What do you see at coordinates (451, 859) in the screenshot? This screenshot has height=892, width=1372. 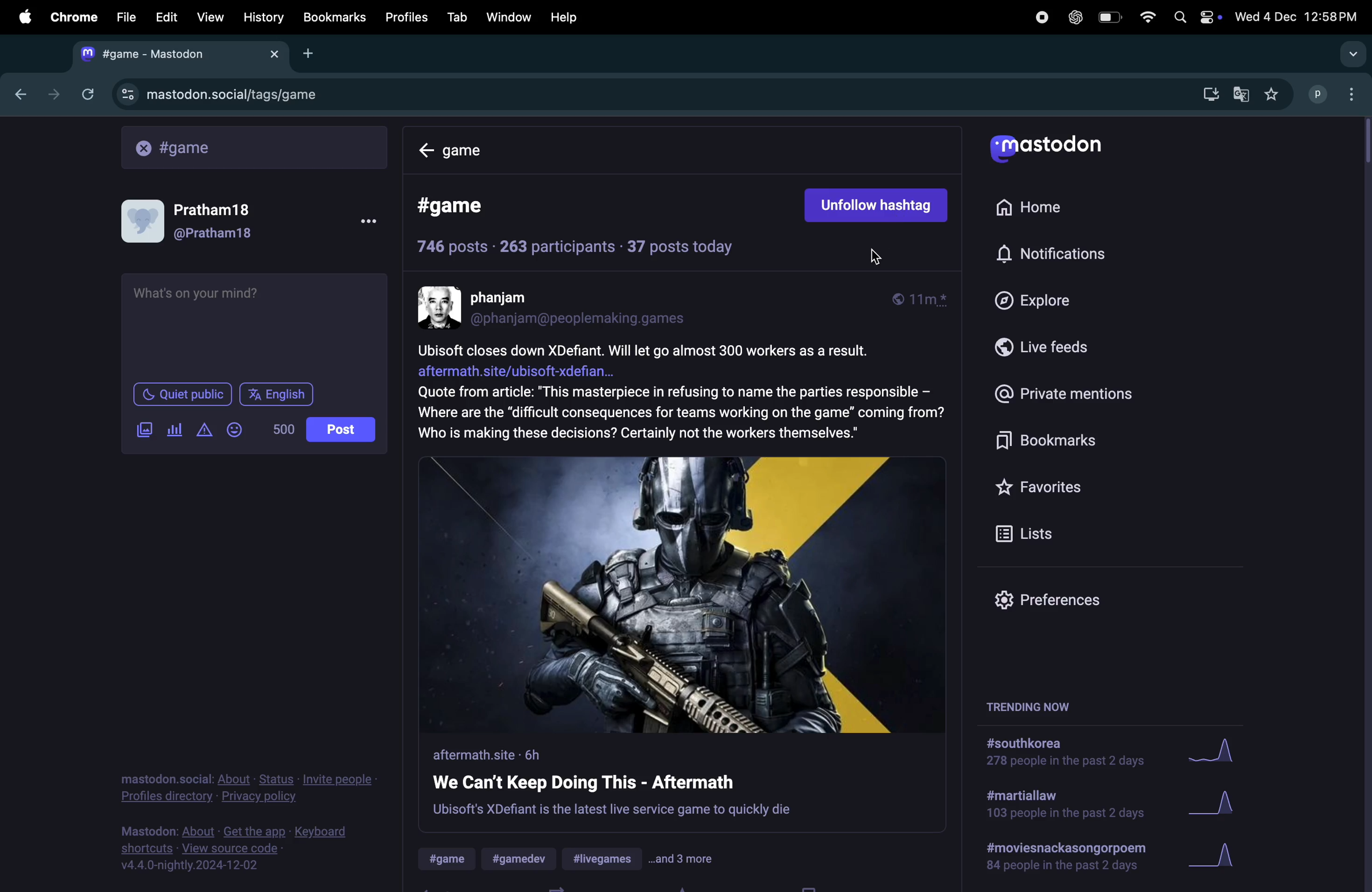 I see `#game` at bounding box center [451, 859].